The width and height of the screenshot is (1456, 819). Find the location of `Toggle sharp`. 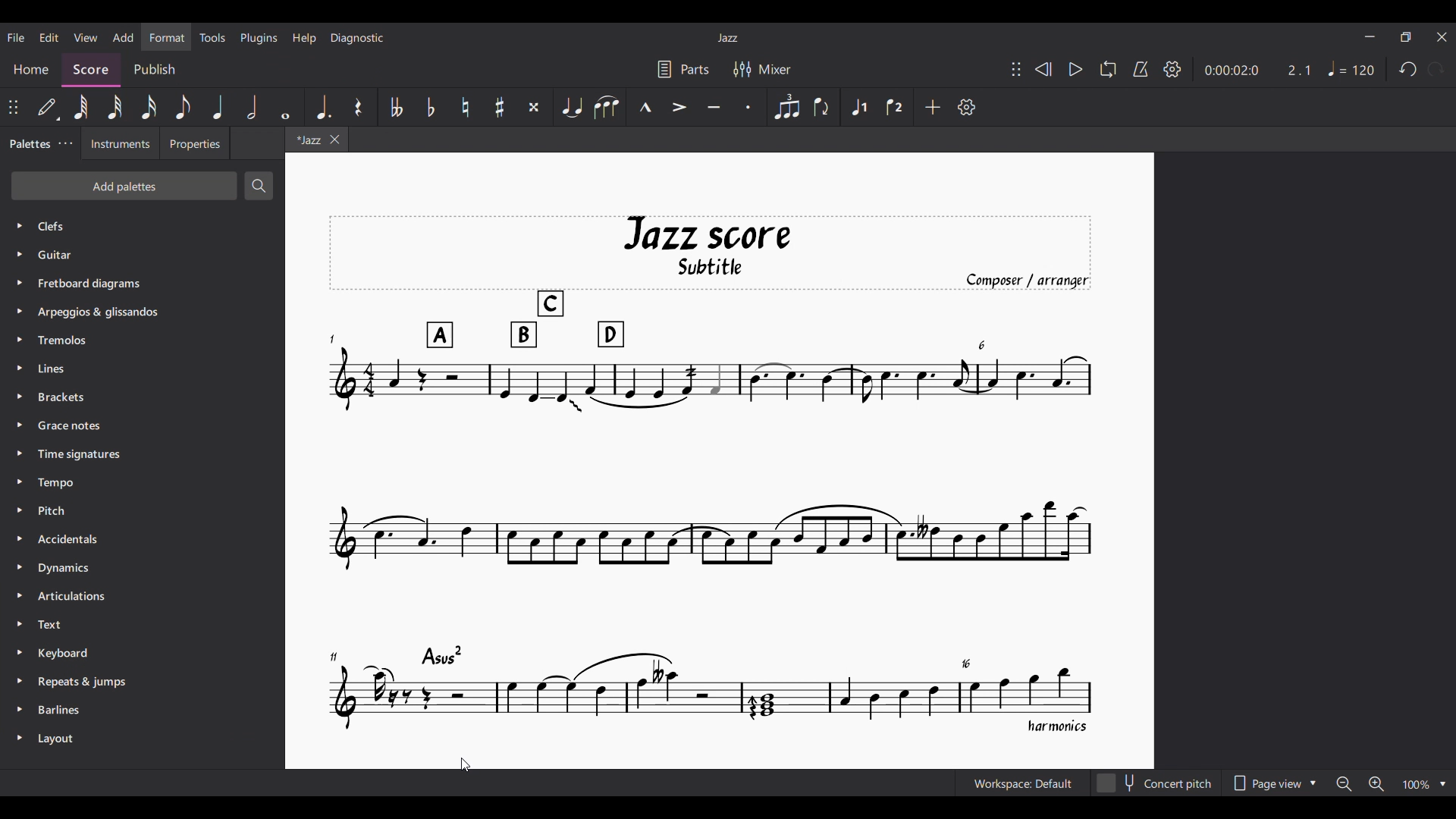

Toggle sharp is located at coordinates (500, 107).